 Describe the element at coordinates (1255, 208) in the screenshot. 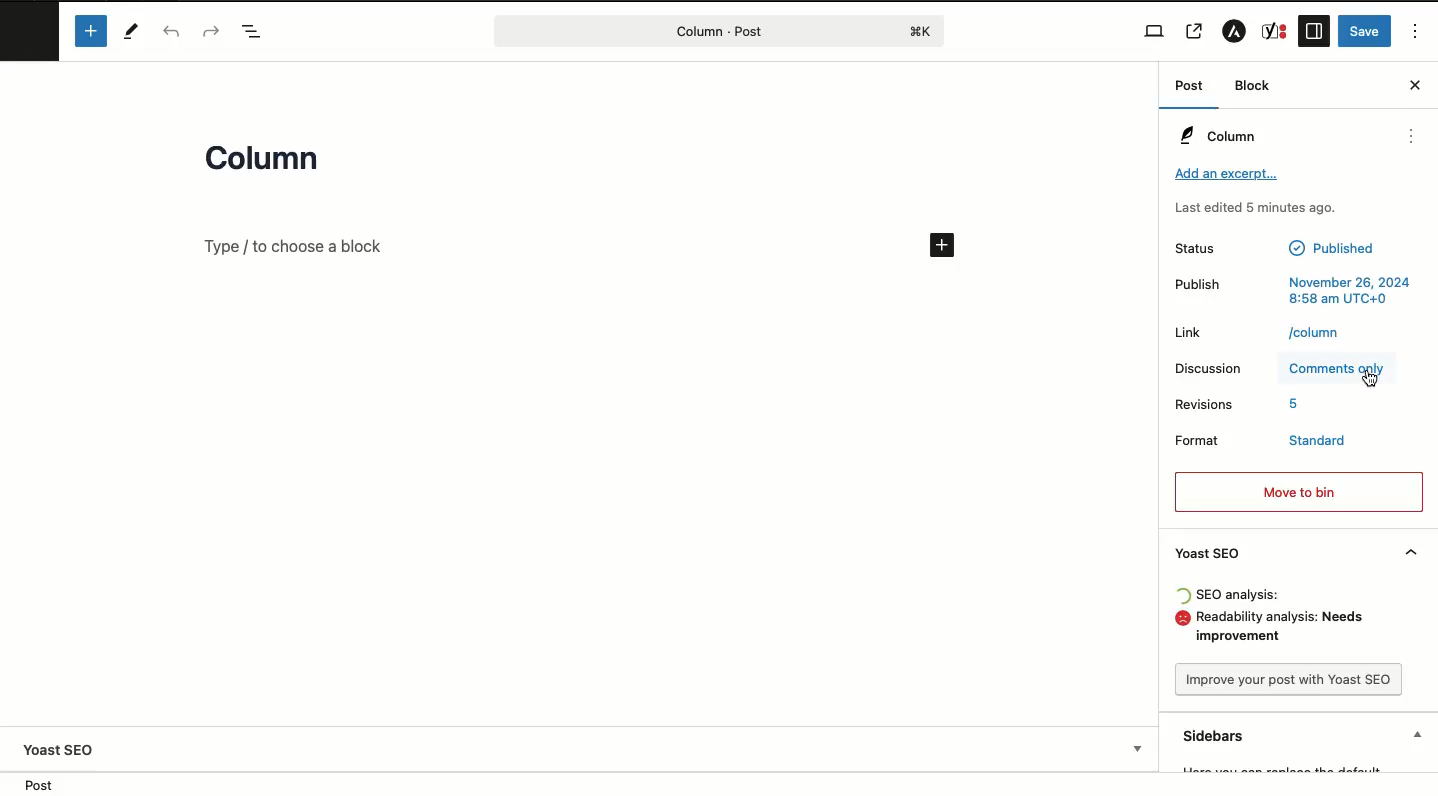

I see `Last edited` at that location.